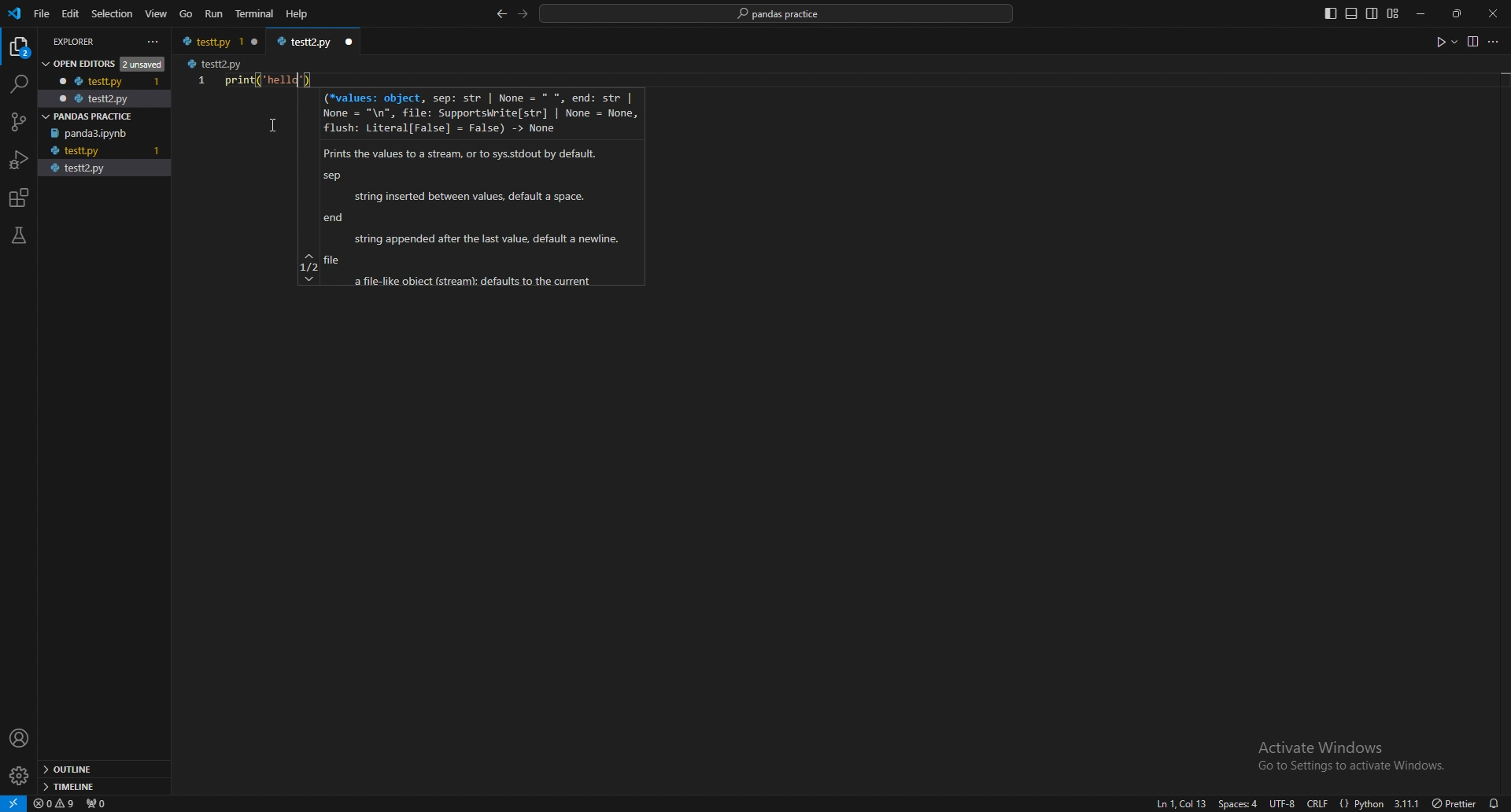 The width and height of the screenshot is (1511, 812). I want to click on explorer, so click(91, 40).